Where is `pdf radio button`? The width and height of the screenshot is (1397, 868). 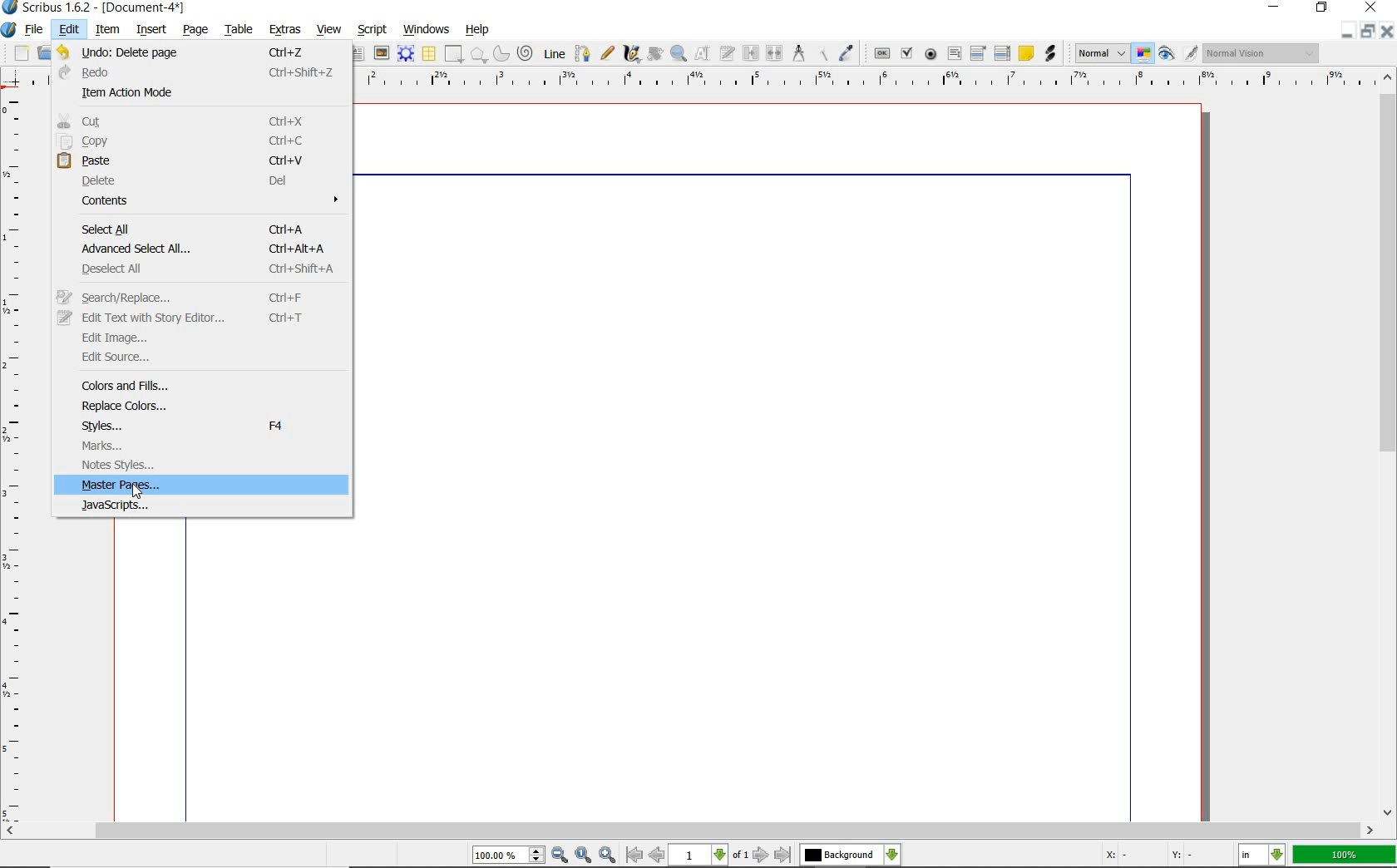
pdf radio button is located at coordinates (930, 54).